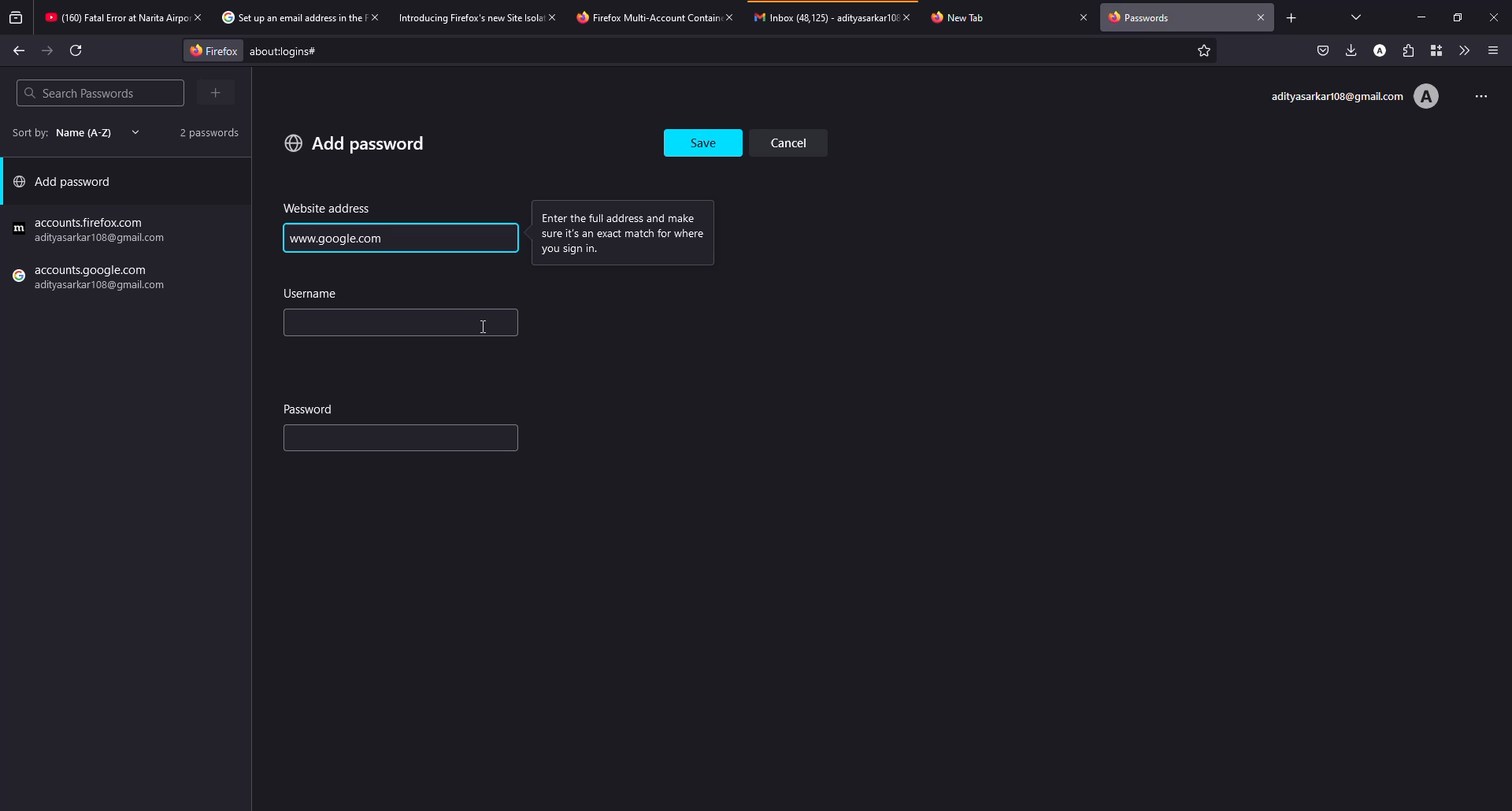  I want to click on favorites, so click(1202, 52).